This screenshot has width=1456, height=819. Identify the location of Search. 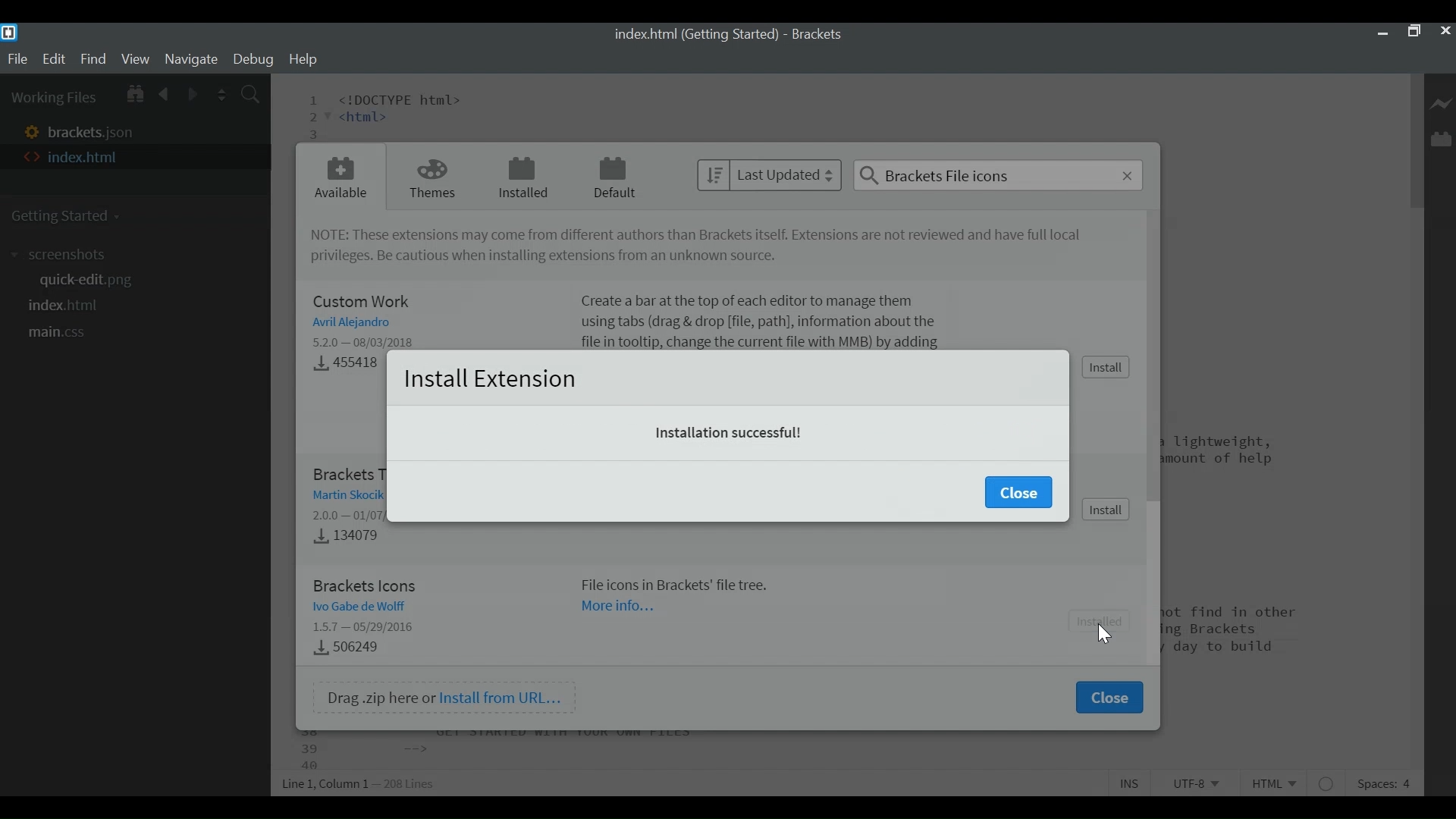
(998, 174).